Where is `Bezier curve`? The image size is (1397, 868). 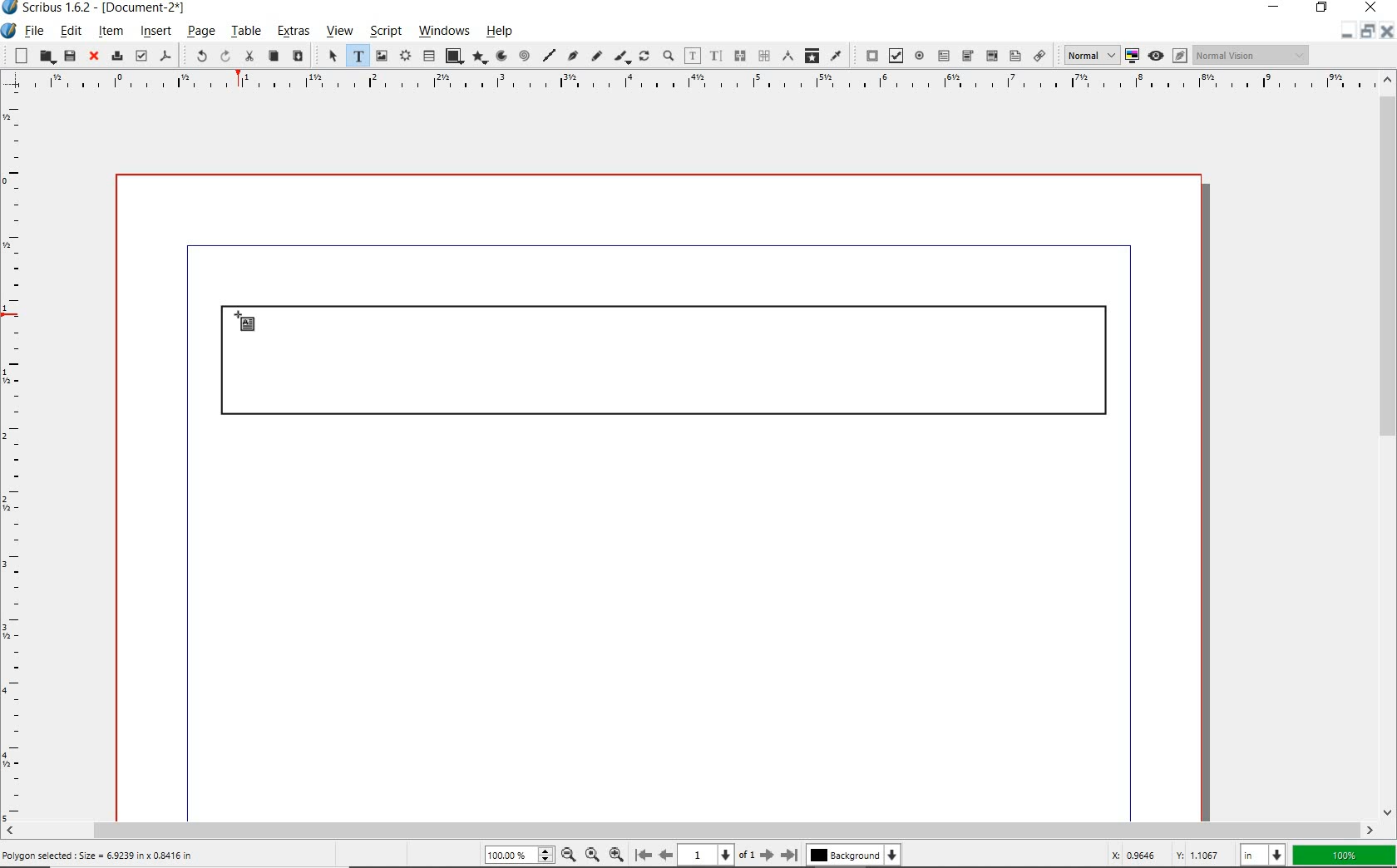 Bezier curve is located at coordinates (574, 57).